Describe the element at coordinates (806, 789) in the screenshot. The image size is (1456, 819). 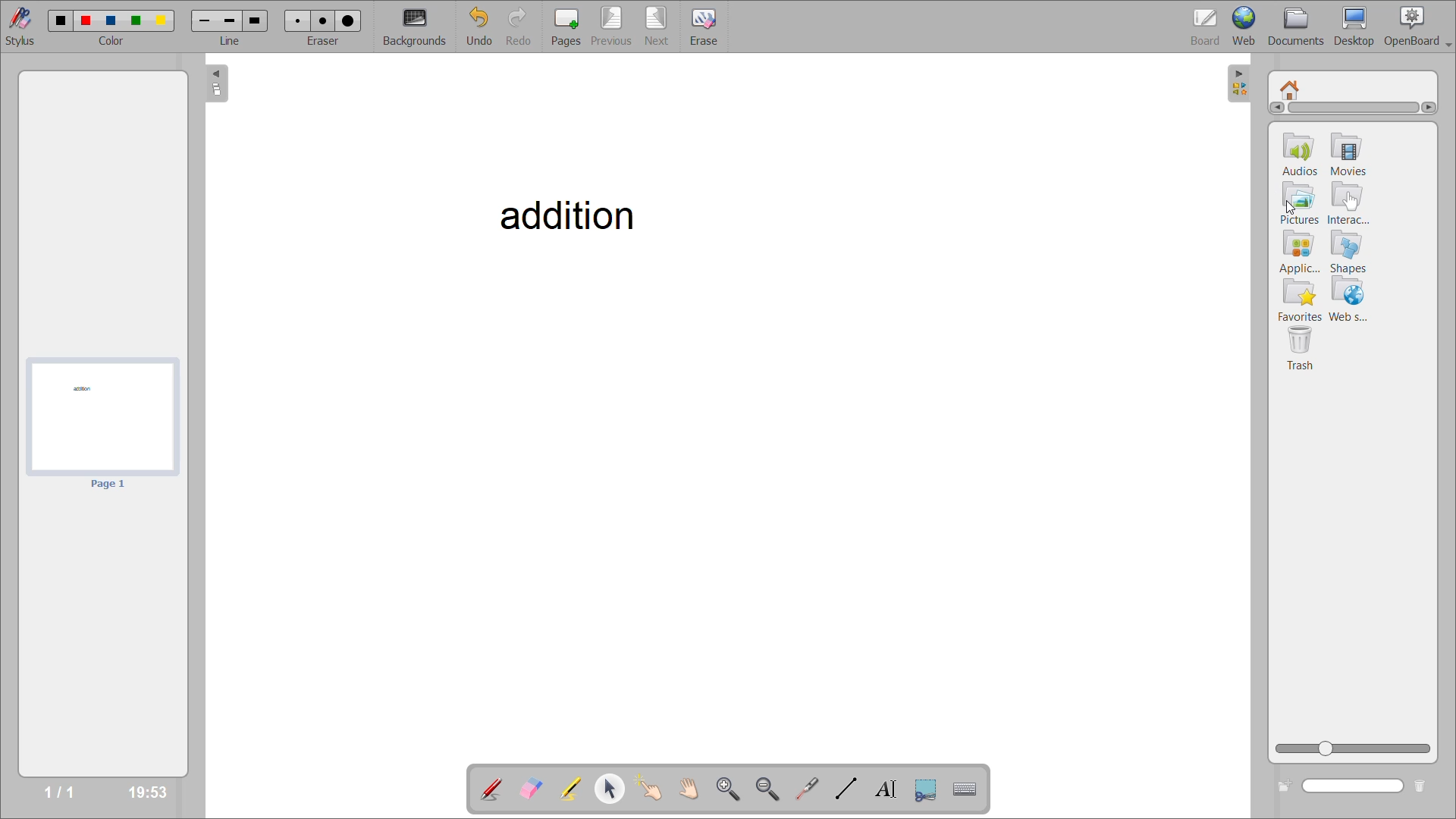
I see `virtual laser pointer` at that location.